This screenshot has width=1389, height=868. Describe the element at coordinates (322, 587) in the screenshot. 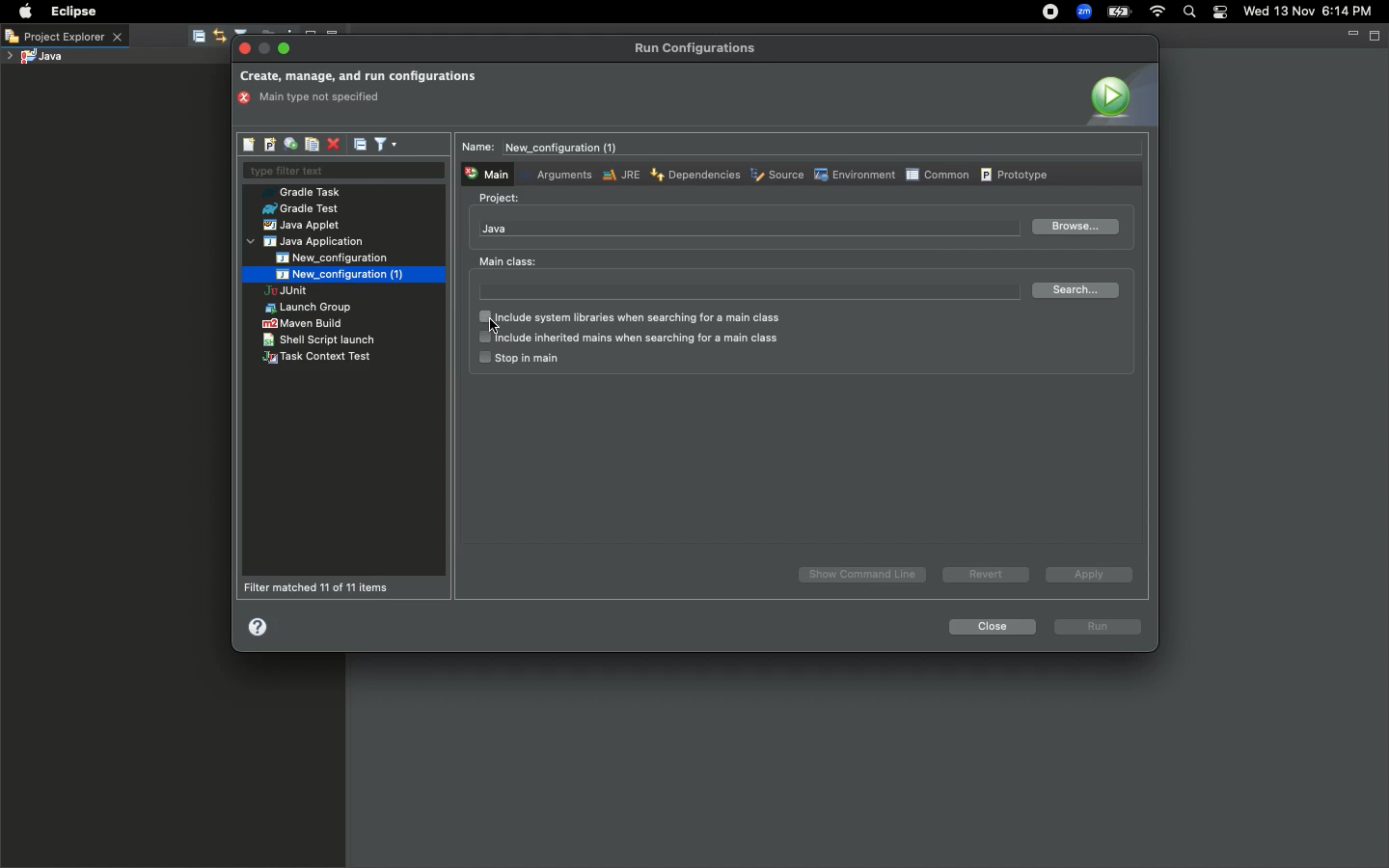

I see `Filter matched 11 of 11 items` at that location.